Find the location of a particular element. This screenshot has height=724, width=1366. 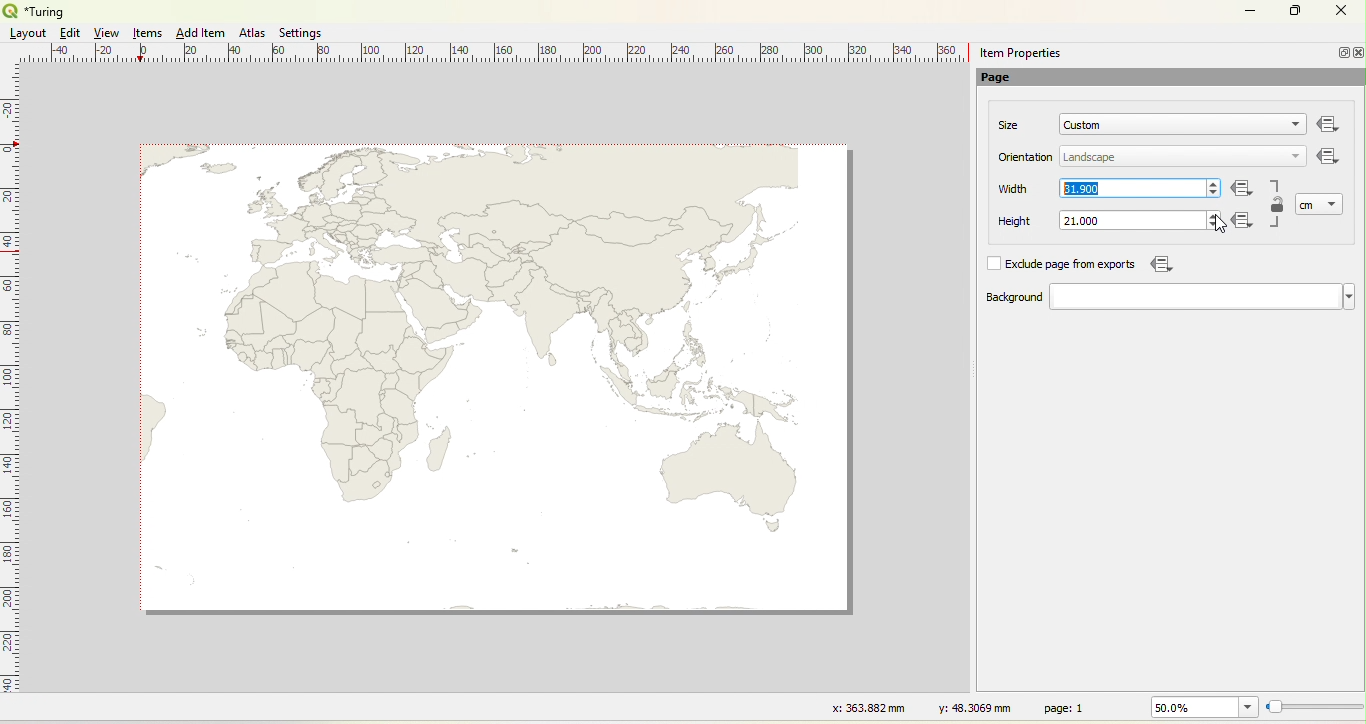

Icon is located at coordinates (1246, 222).